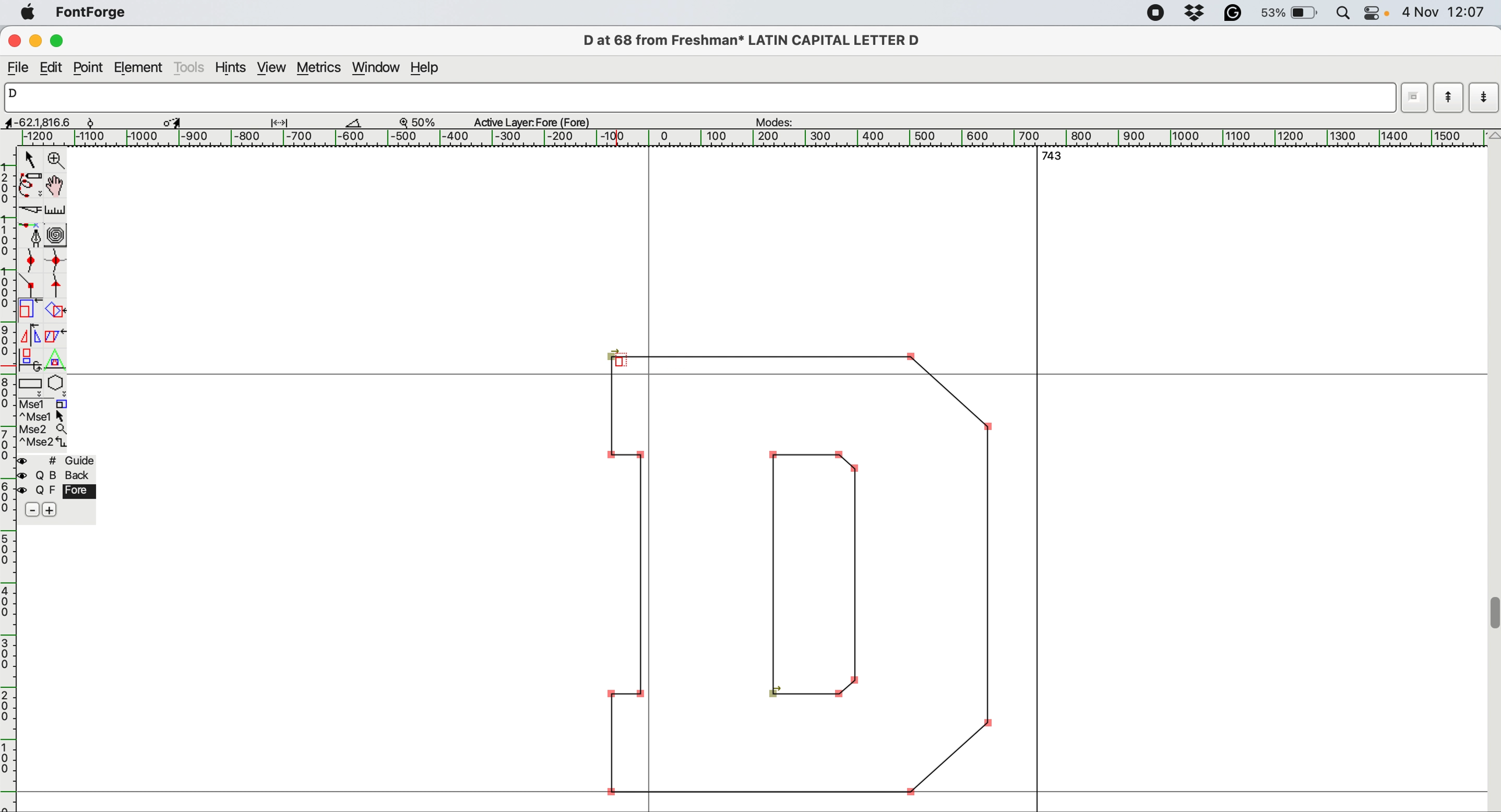 Image resolution: width=1501 pixels, height=812 pixels. Describe the element at coordinates (756, 40) in the screenshot. I see `D at 68 from Freshman* LATIN CAPITAL LETTER D` at that location.